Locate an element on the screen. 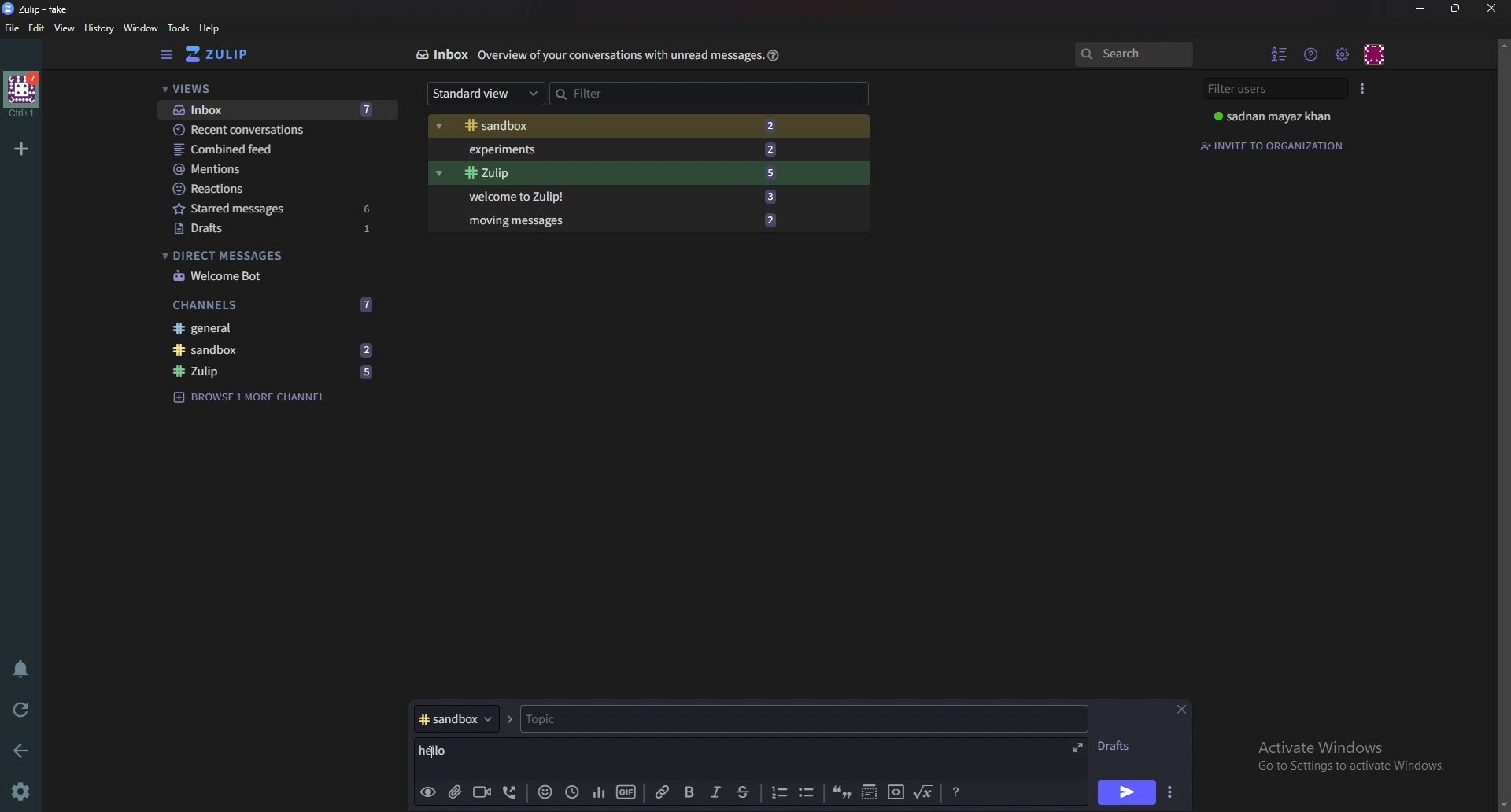 This screenshot has height=812, width=1511. search is located at coordinates (1132, 53).